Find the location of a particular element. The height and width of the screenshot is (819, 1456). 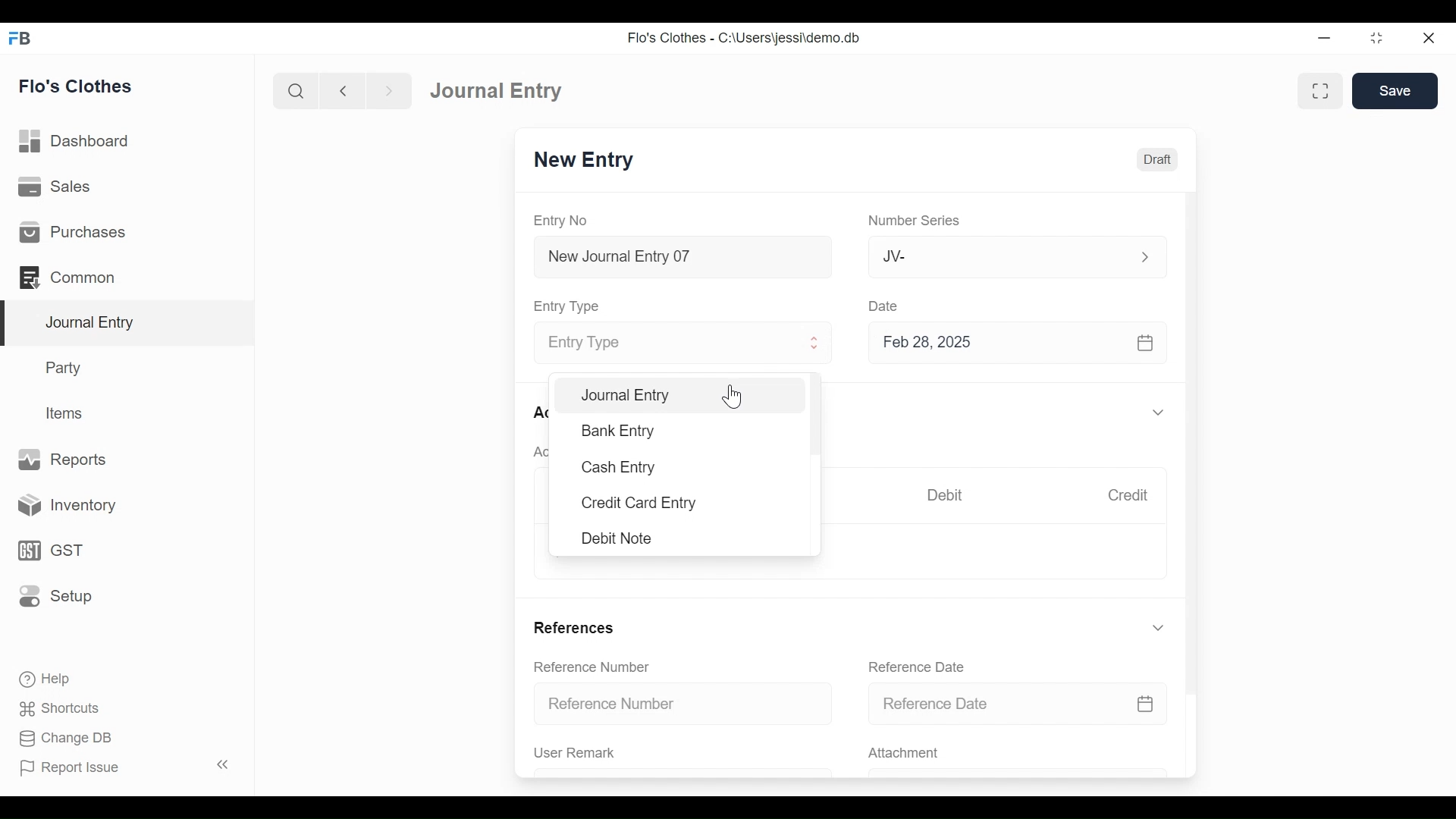

Journal Entry is located at coordinates (130, 324).